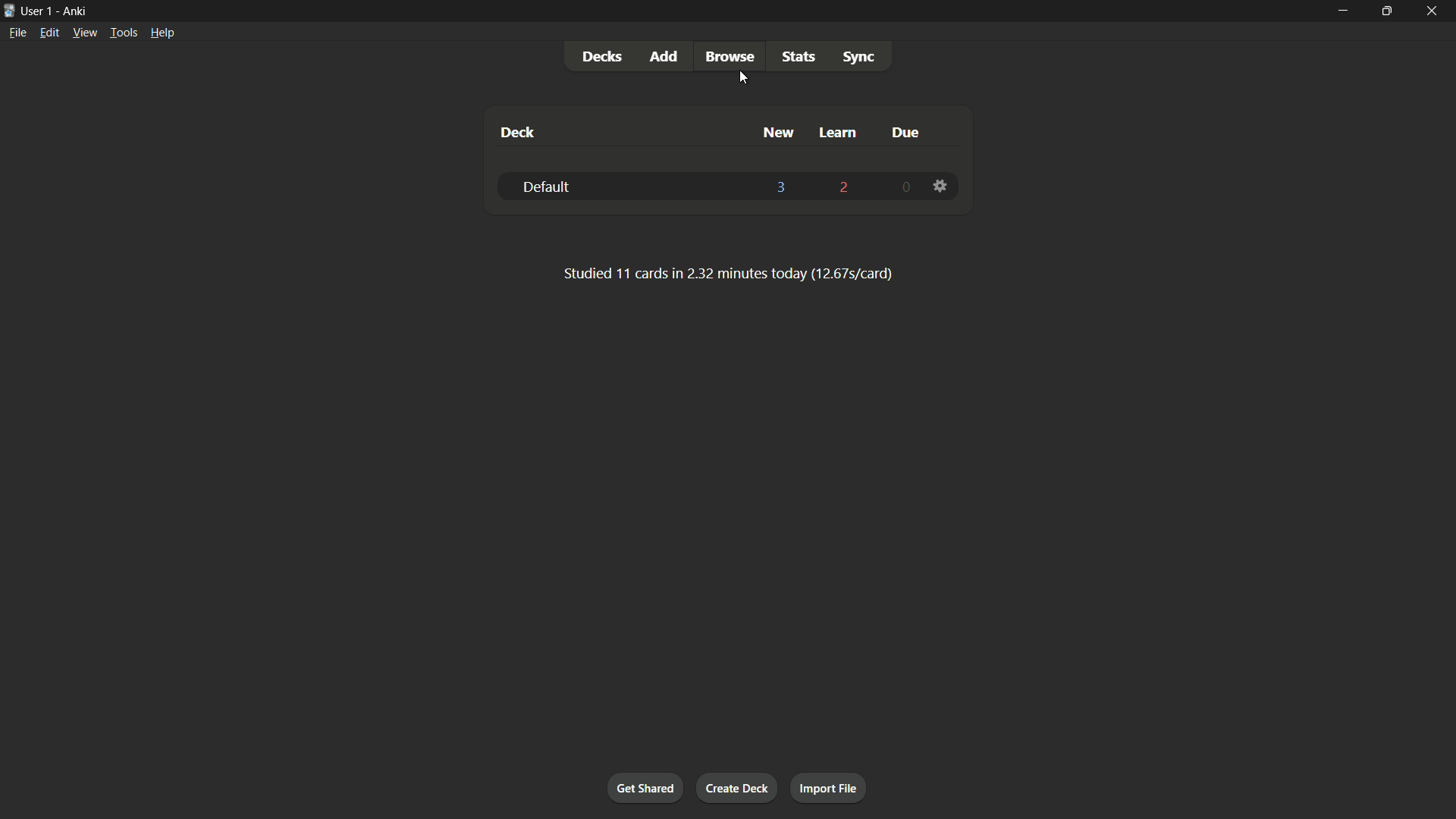  I want to click on default, so click(548, 188).